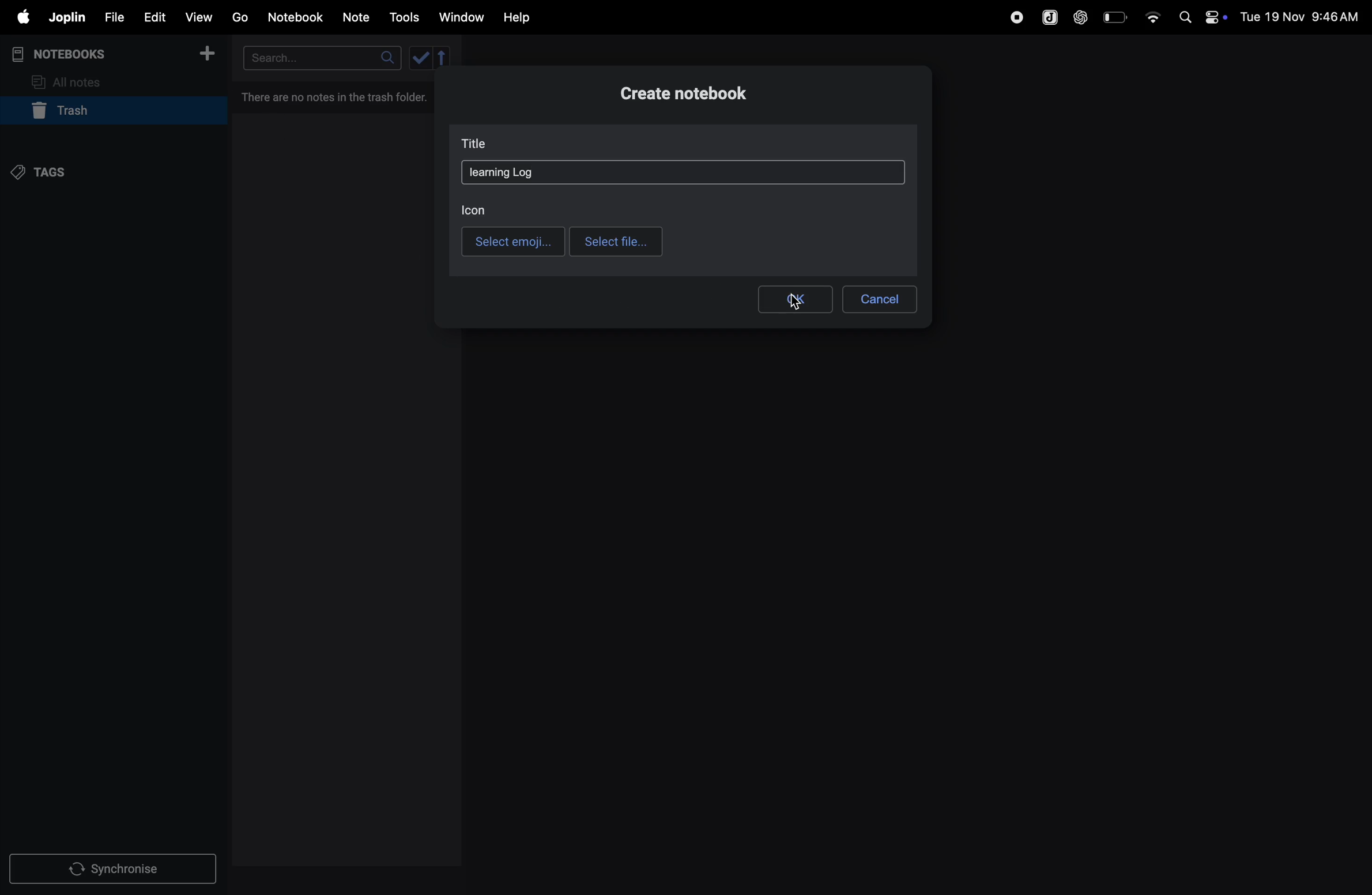  I want to click on window, so click(462, 17).